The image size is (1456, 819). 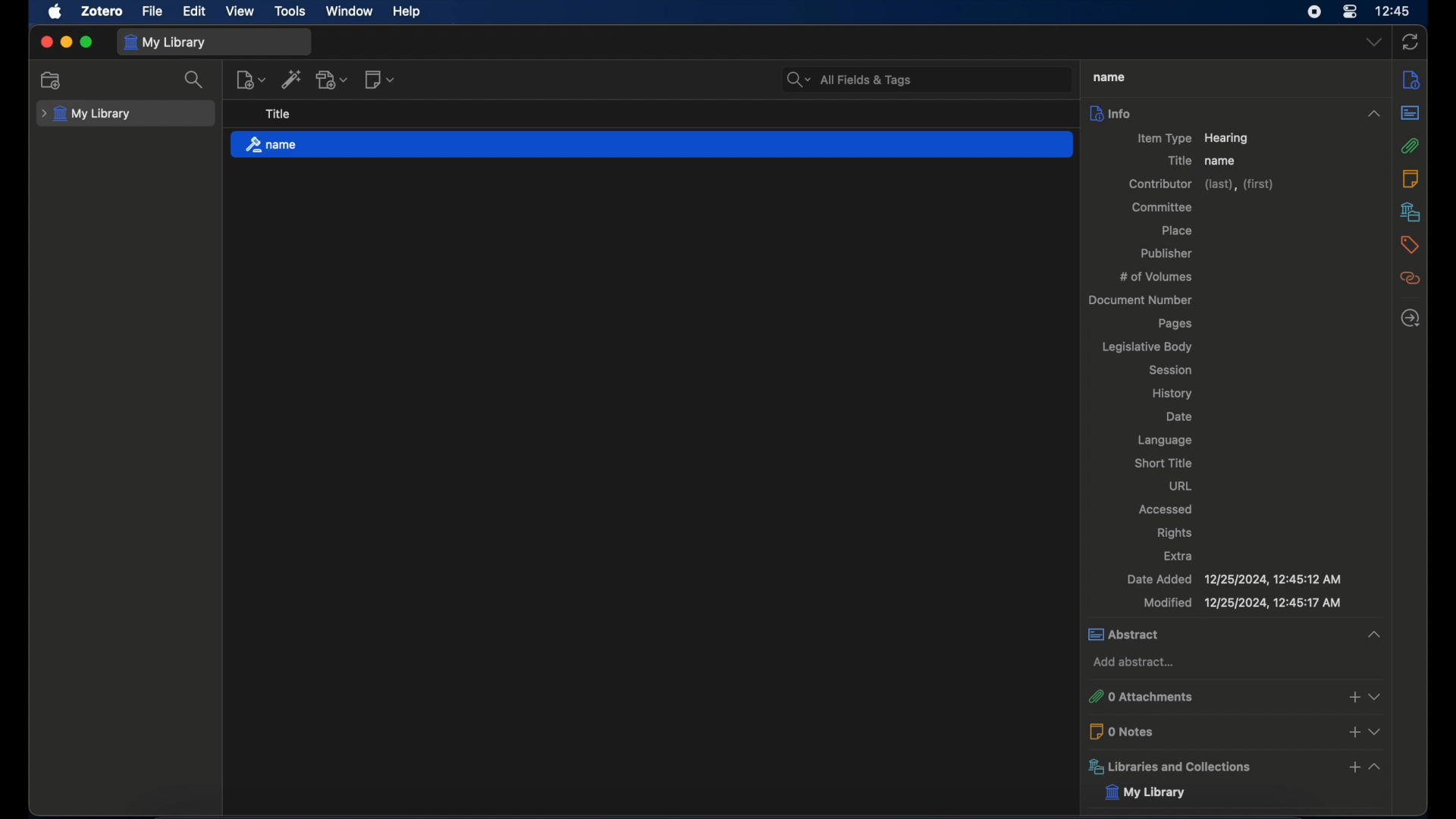 I want to click on new collection, so click(x=53, y=80).